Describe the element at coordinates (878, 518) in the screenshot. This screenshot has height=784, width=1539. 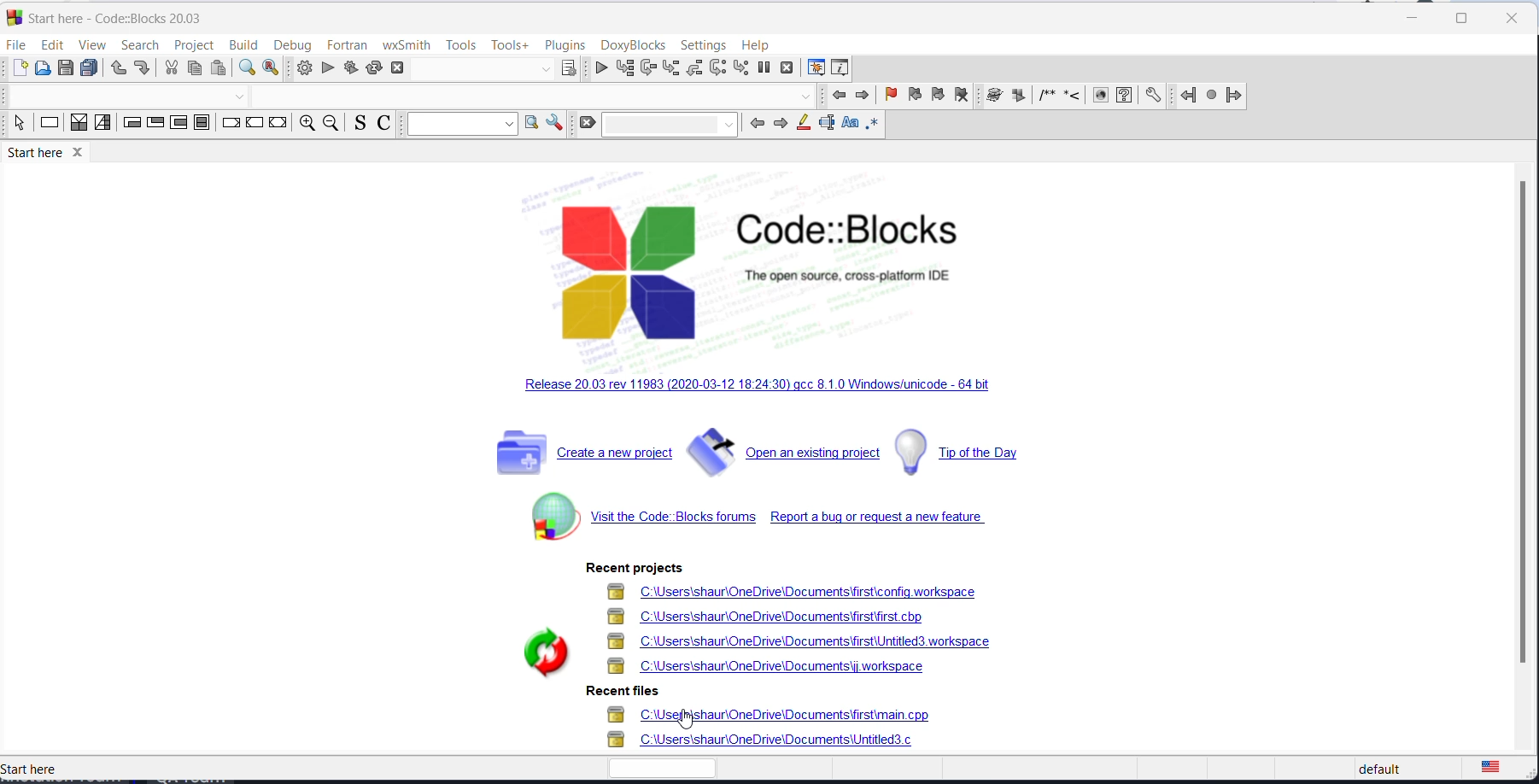
I see `report bug` at that location.